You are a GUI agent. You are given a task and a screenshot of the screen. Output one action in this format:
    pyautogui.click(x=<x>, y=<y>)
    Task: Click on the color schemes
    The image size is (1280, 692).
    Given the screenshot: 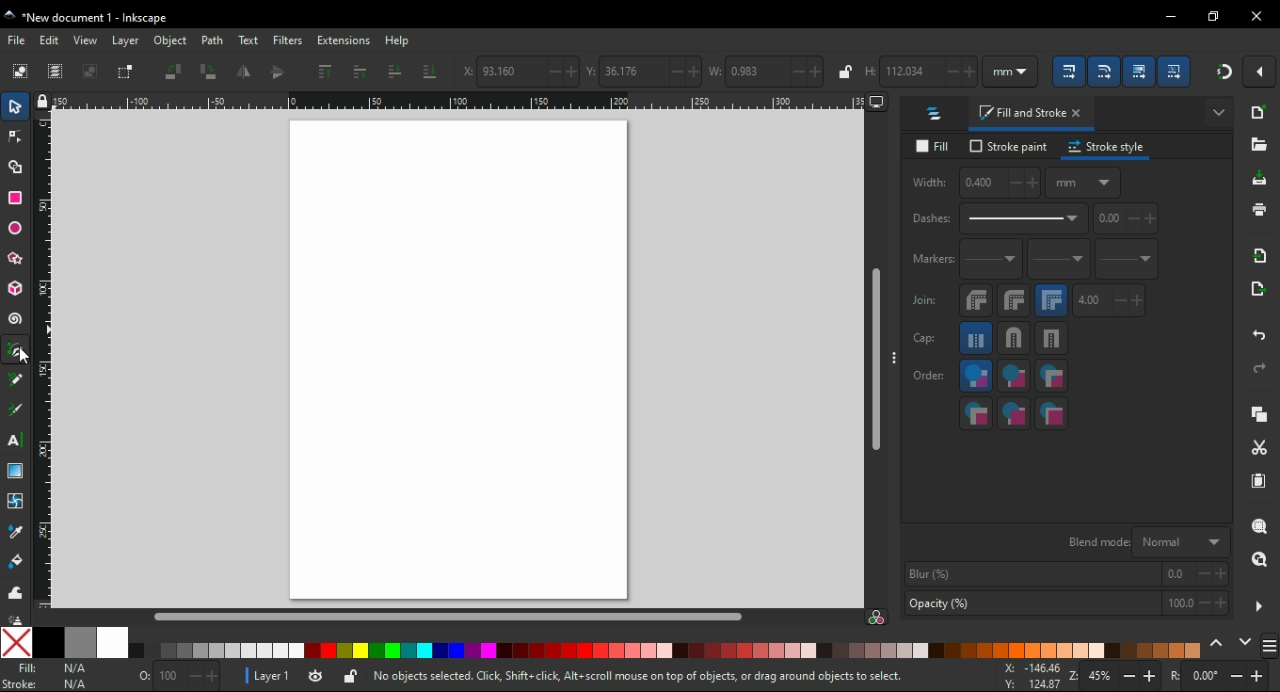 What is the action you would take?
    pyautogui.click(x=1268, y=649)
    